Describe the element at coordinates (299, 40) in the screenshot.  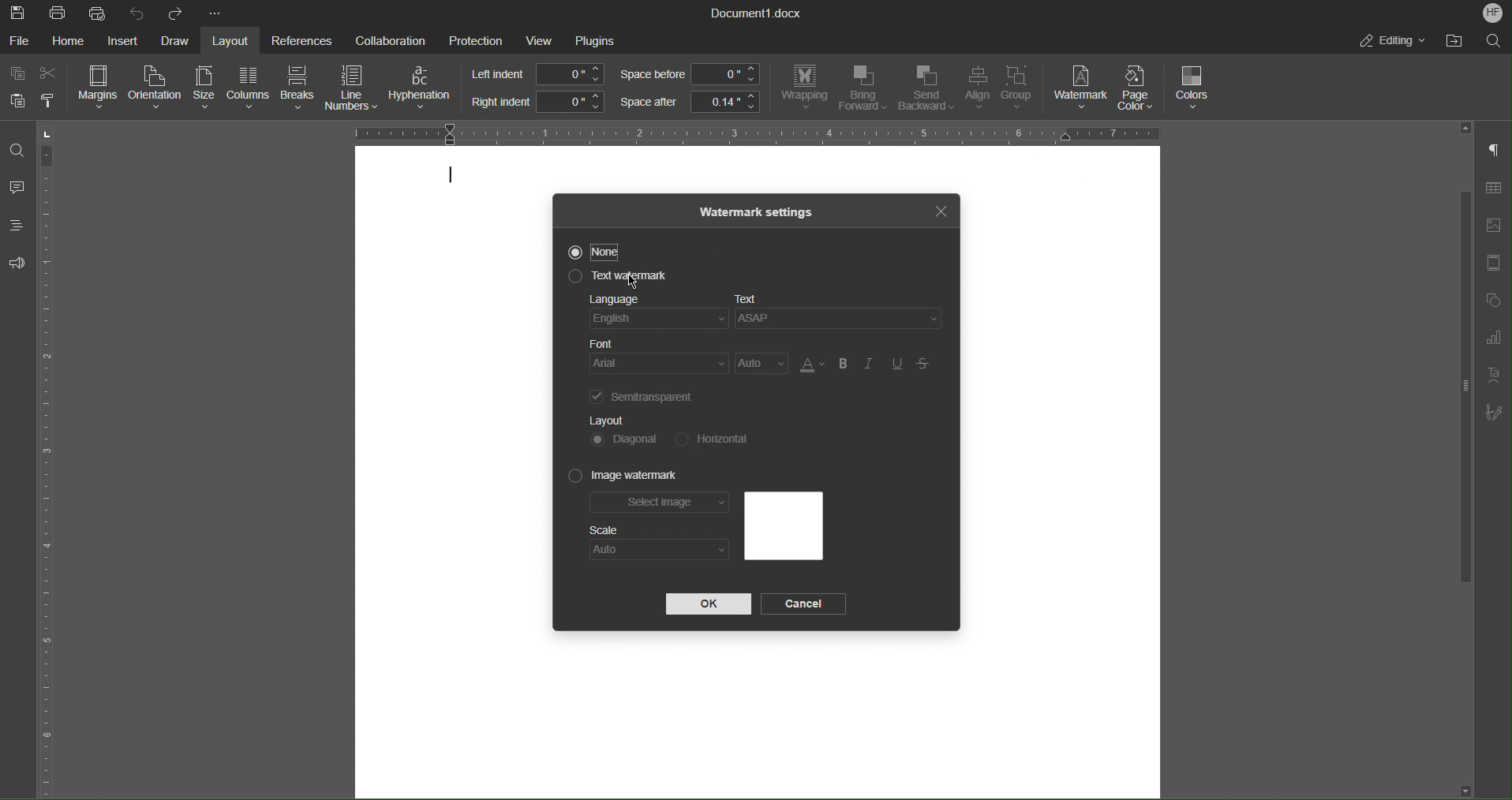
I see `References` at that location.